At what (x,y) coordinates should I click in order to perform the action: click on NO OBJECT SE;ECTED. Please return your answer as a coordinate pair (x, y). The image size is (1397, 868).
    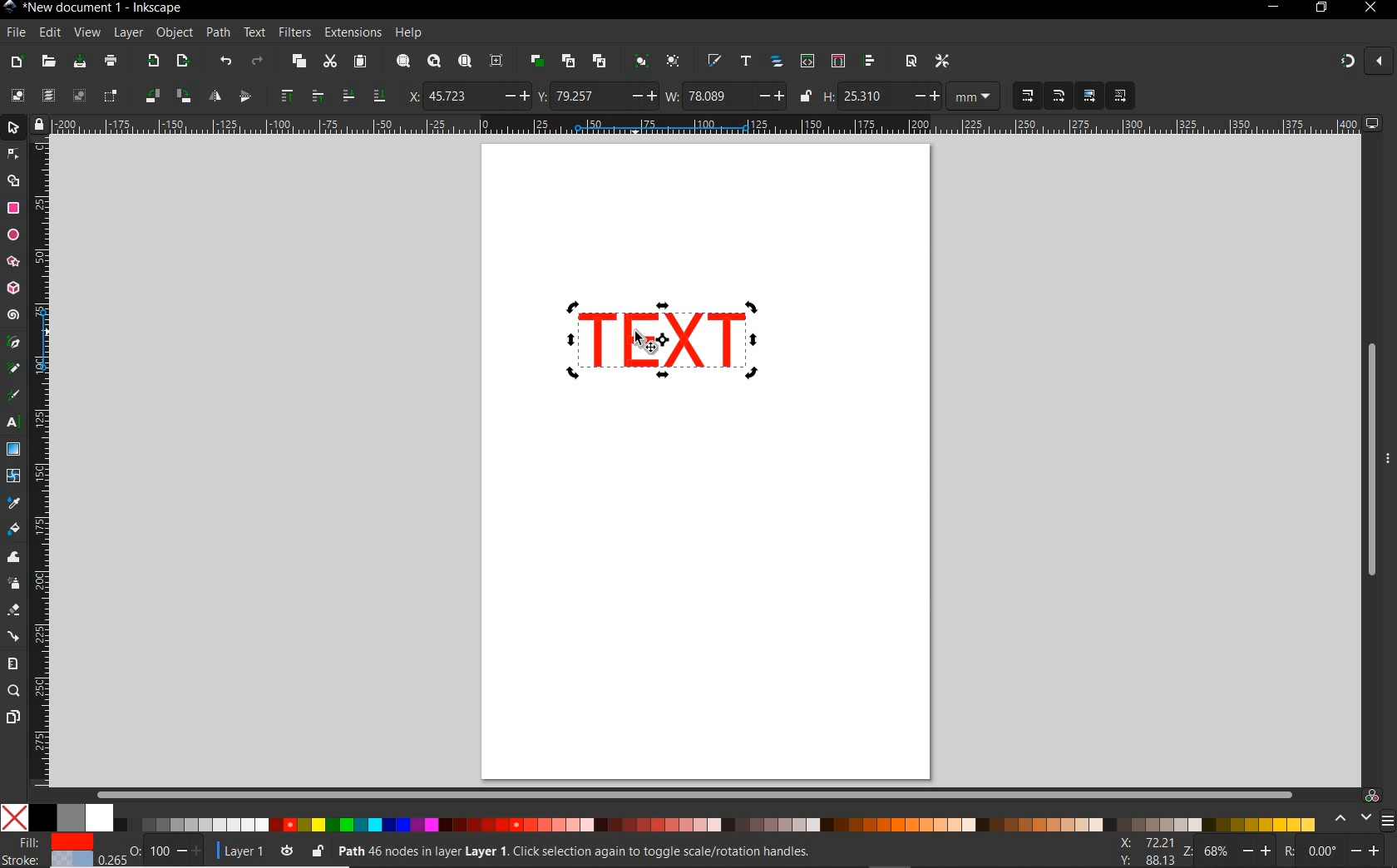
    Looking at the image, I should click on (633, 854).